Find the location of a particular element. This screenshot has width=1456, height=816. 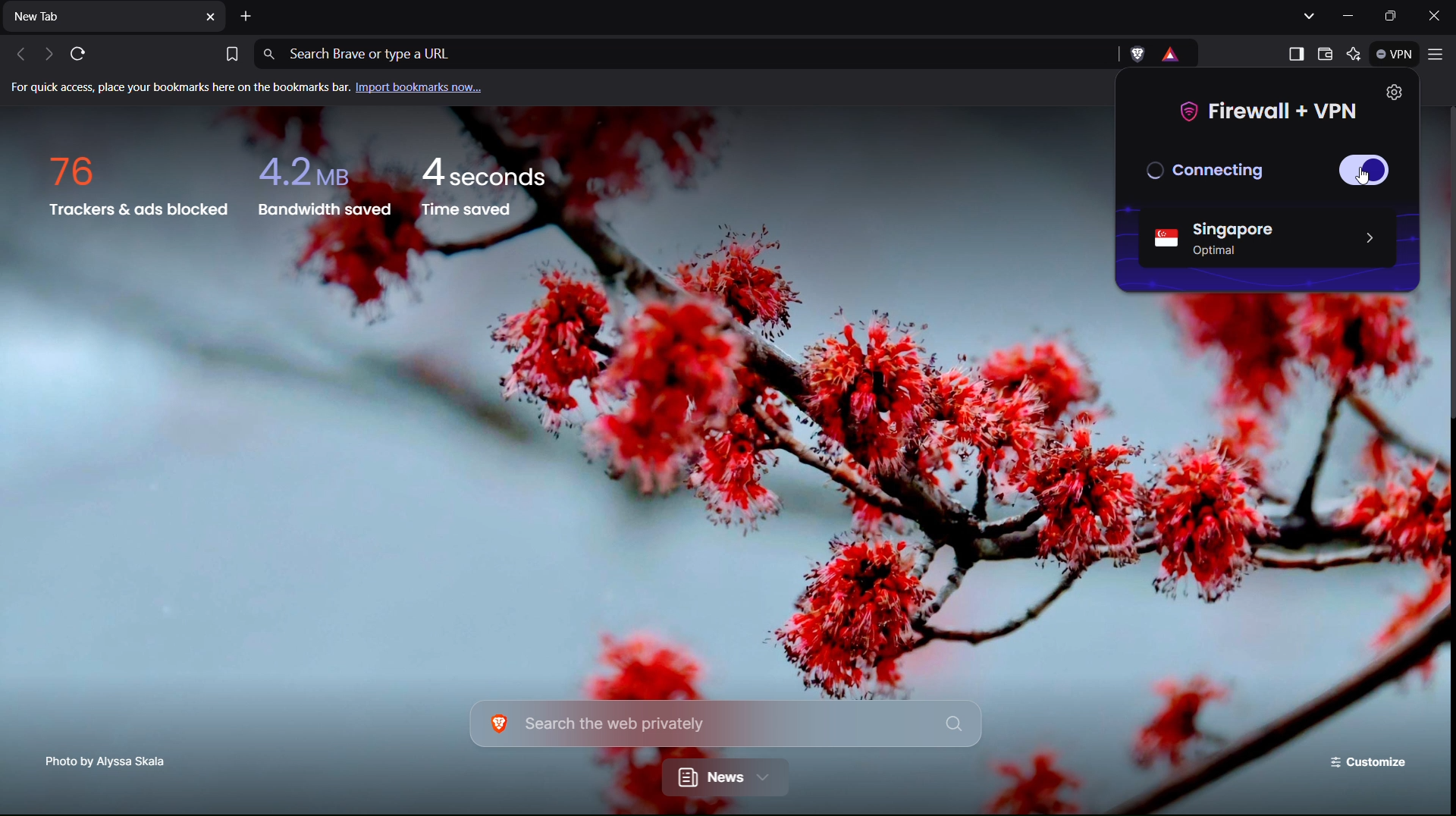

Button is located at coordinates (1370, 171).